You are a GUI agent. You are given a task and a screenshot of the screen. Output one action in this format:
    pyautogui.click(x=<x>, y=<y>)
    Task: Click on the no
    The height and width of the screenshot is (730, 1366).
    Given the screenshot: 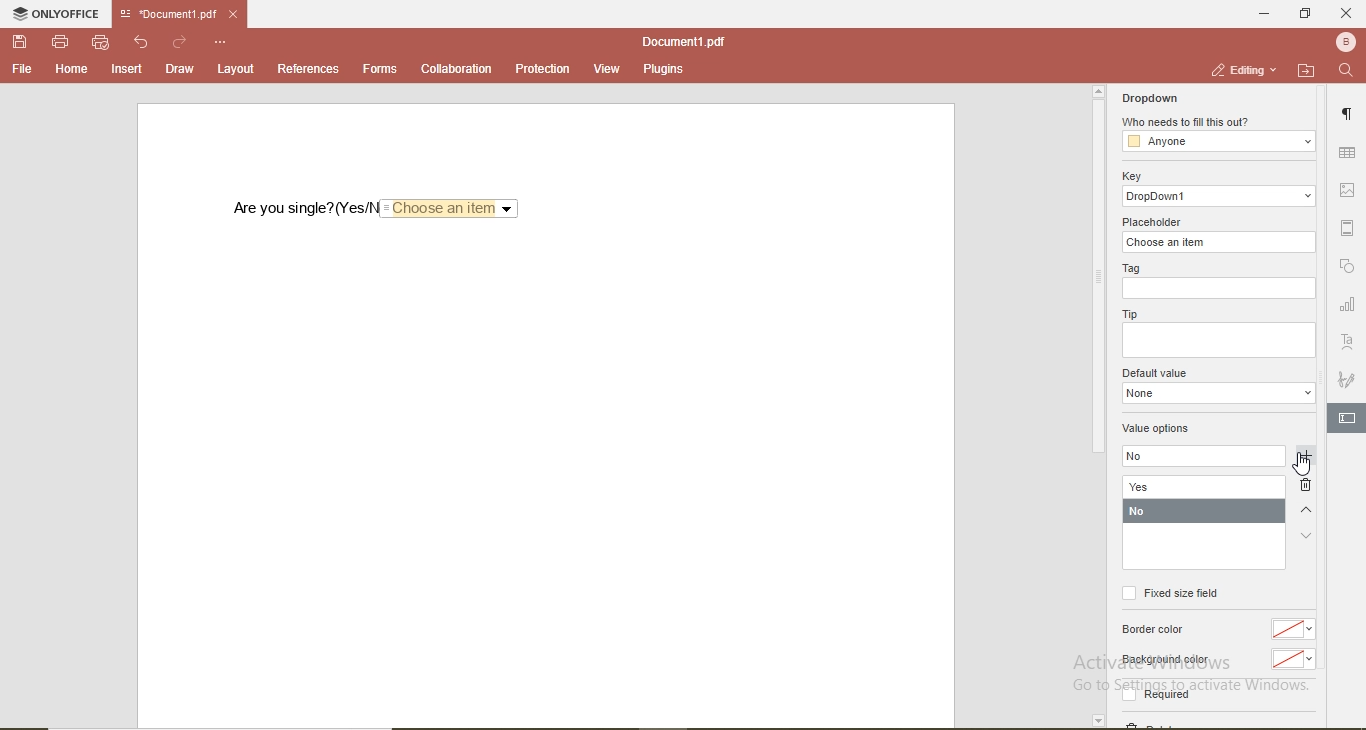 What is the action you would take?
    pyautogui.click(x=1203, y=511)
    